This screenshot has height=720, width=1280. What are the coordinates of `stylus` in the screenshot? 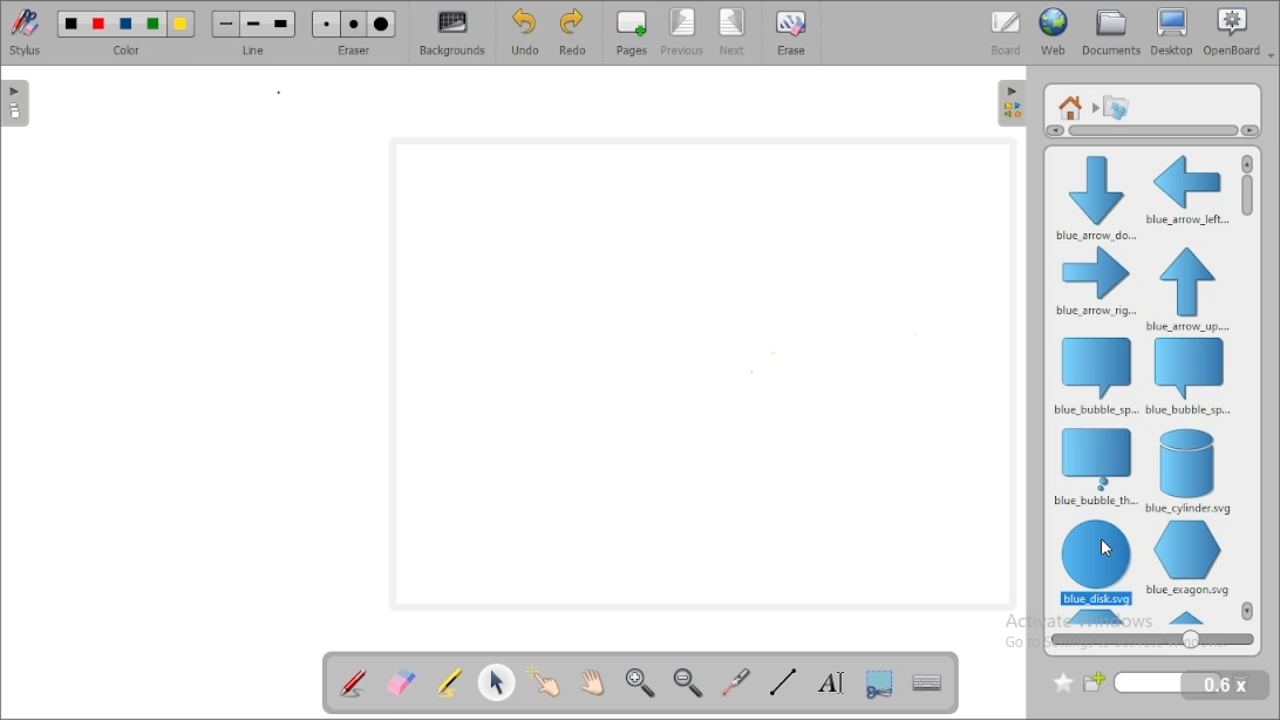 It's located at (25, 32).